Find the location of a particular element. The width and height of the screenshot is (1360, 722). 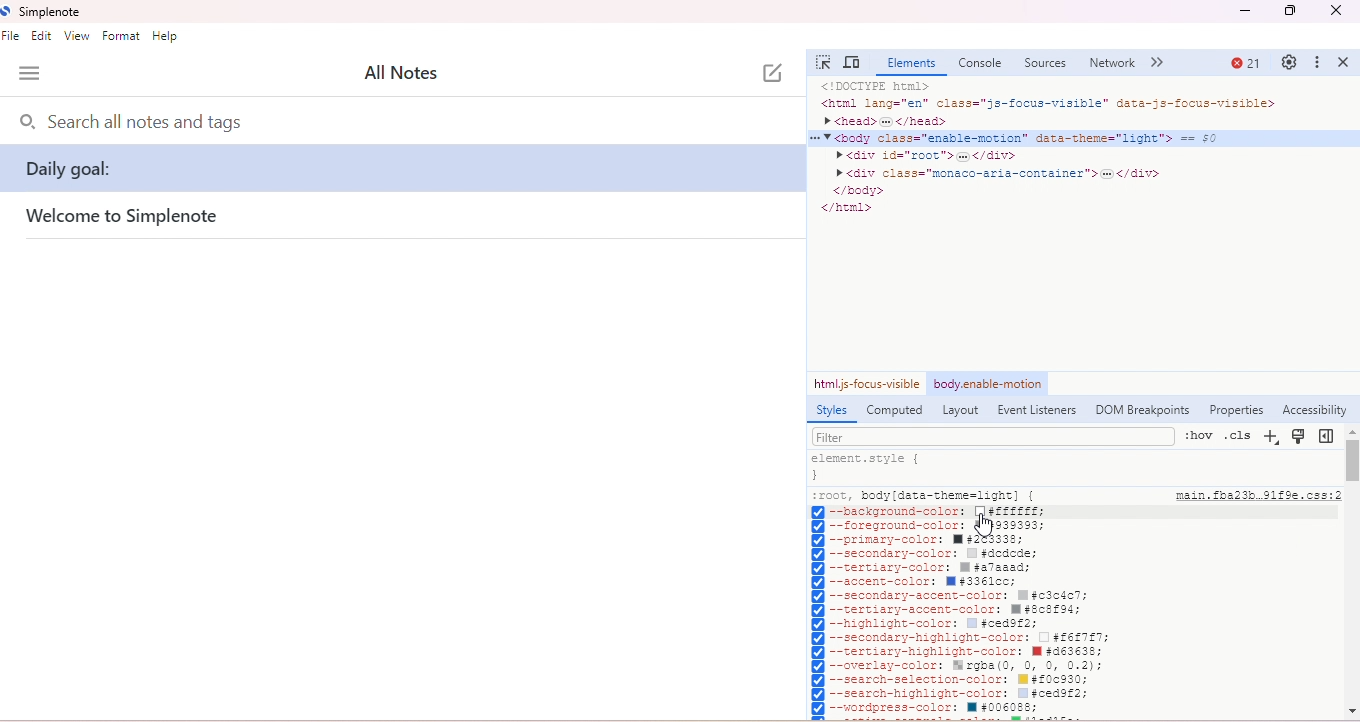

close is located at coordinates (1337, 12).